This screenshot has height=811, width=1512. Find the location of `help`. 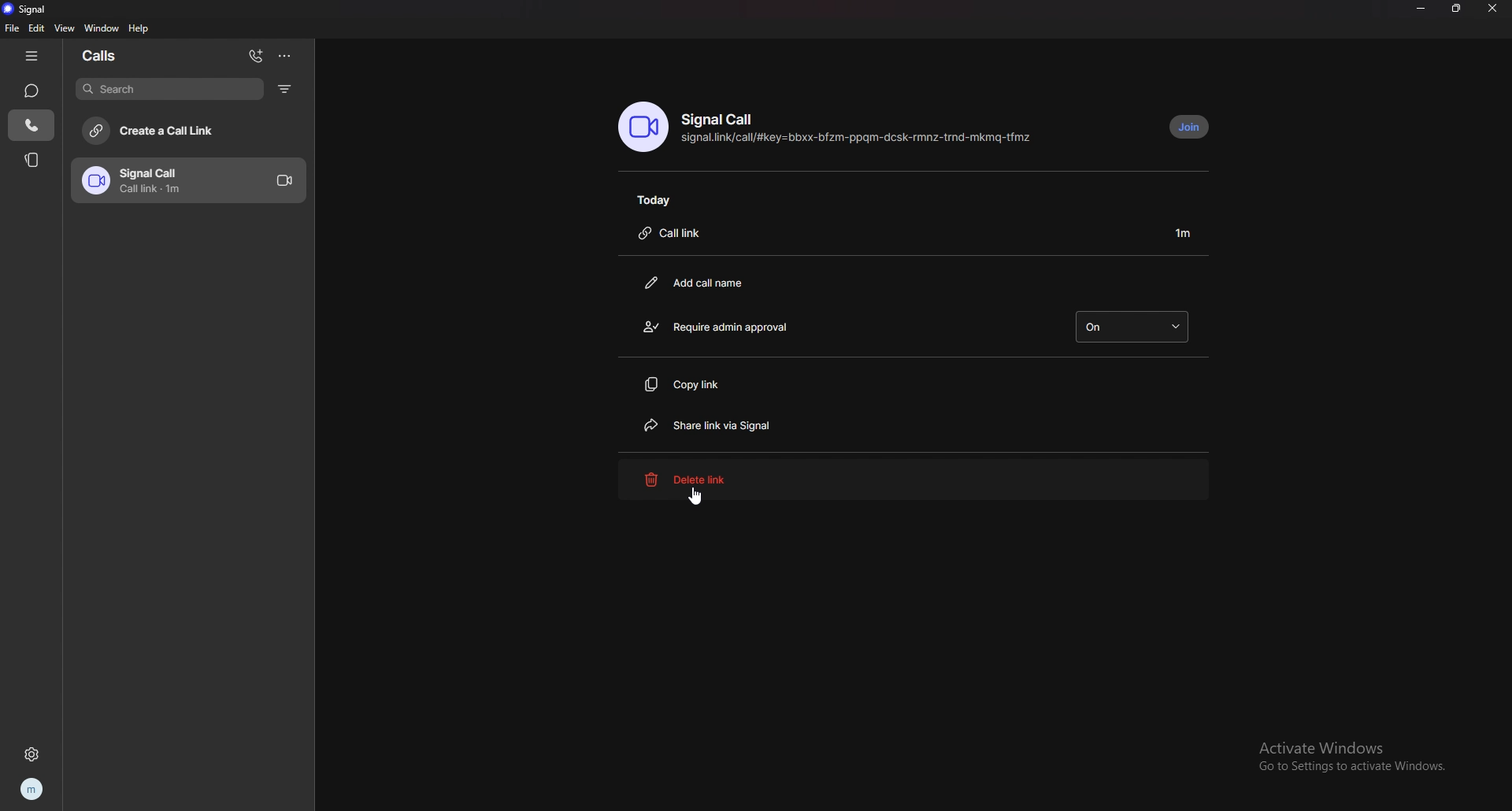

help is located at coordinates (140, 28).